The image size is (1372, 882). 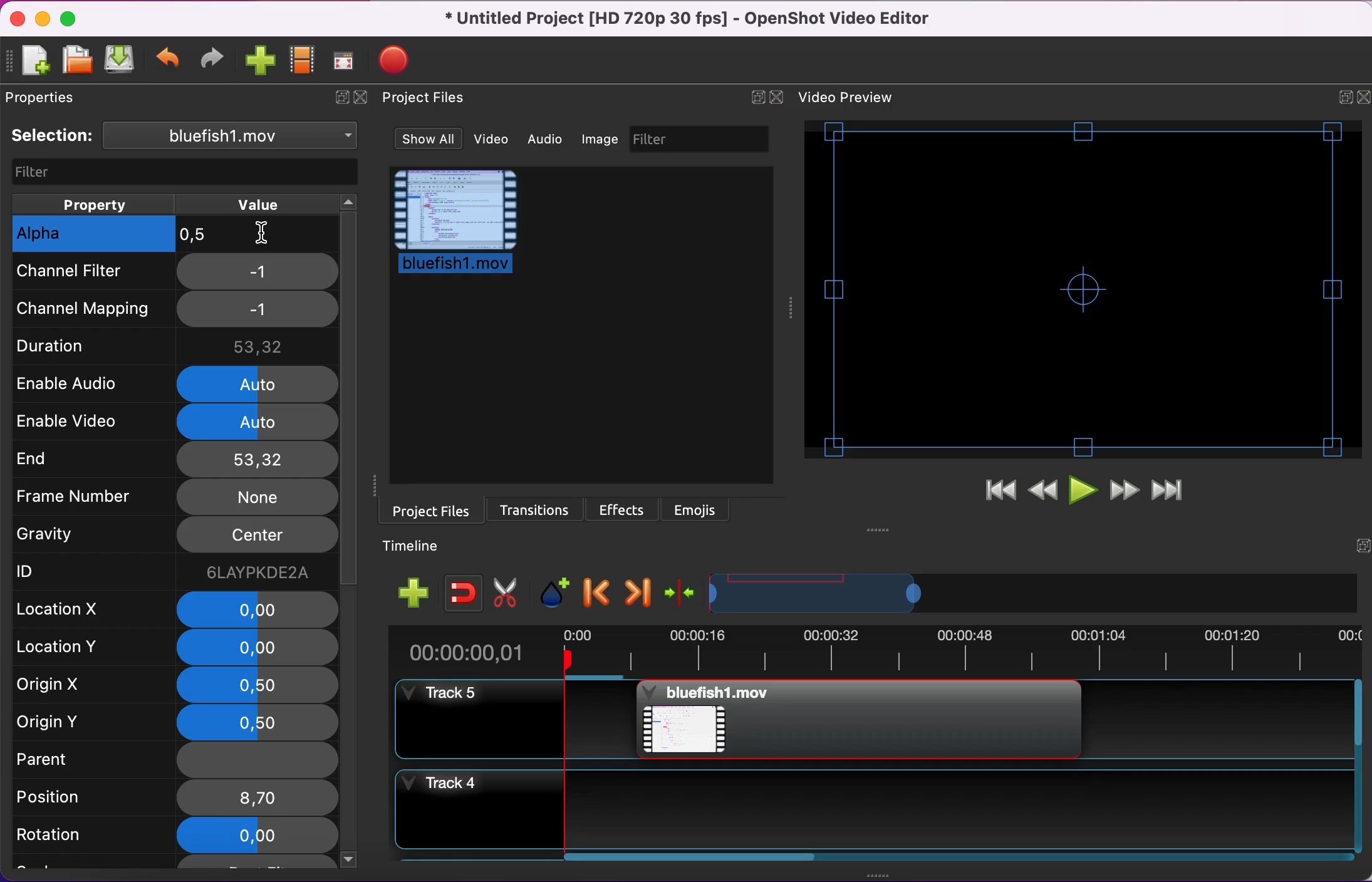 What do you see at coordinates (703, 140) in the screenshot?
I see `filter` at bounding box center [703, 140].